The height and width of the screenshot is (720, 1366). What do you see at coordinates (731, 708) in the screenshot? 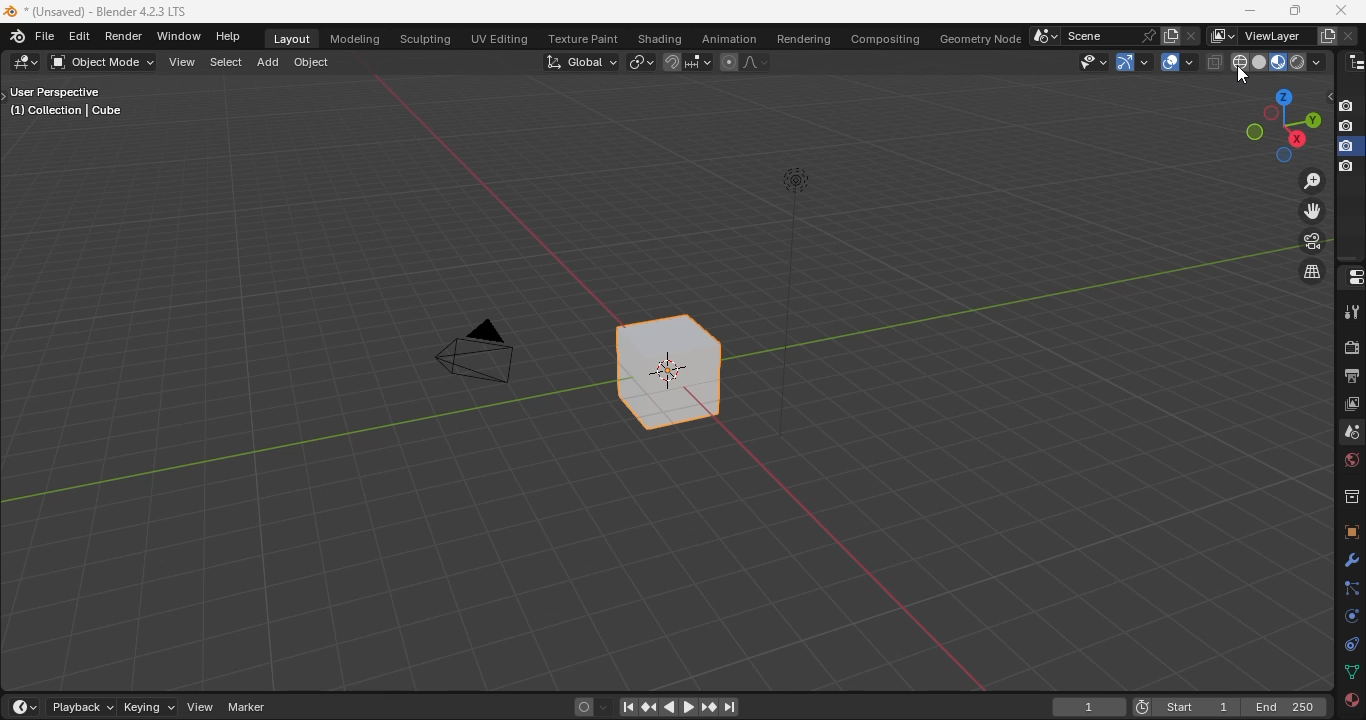
I see `jump to endpoint` at bounding box center [731, 708].